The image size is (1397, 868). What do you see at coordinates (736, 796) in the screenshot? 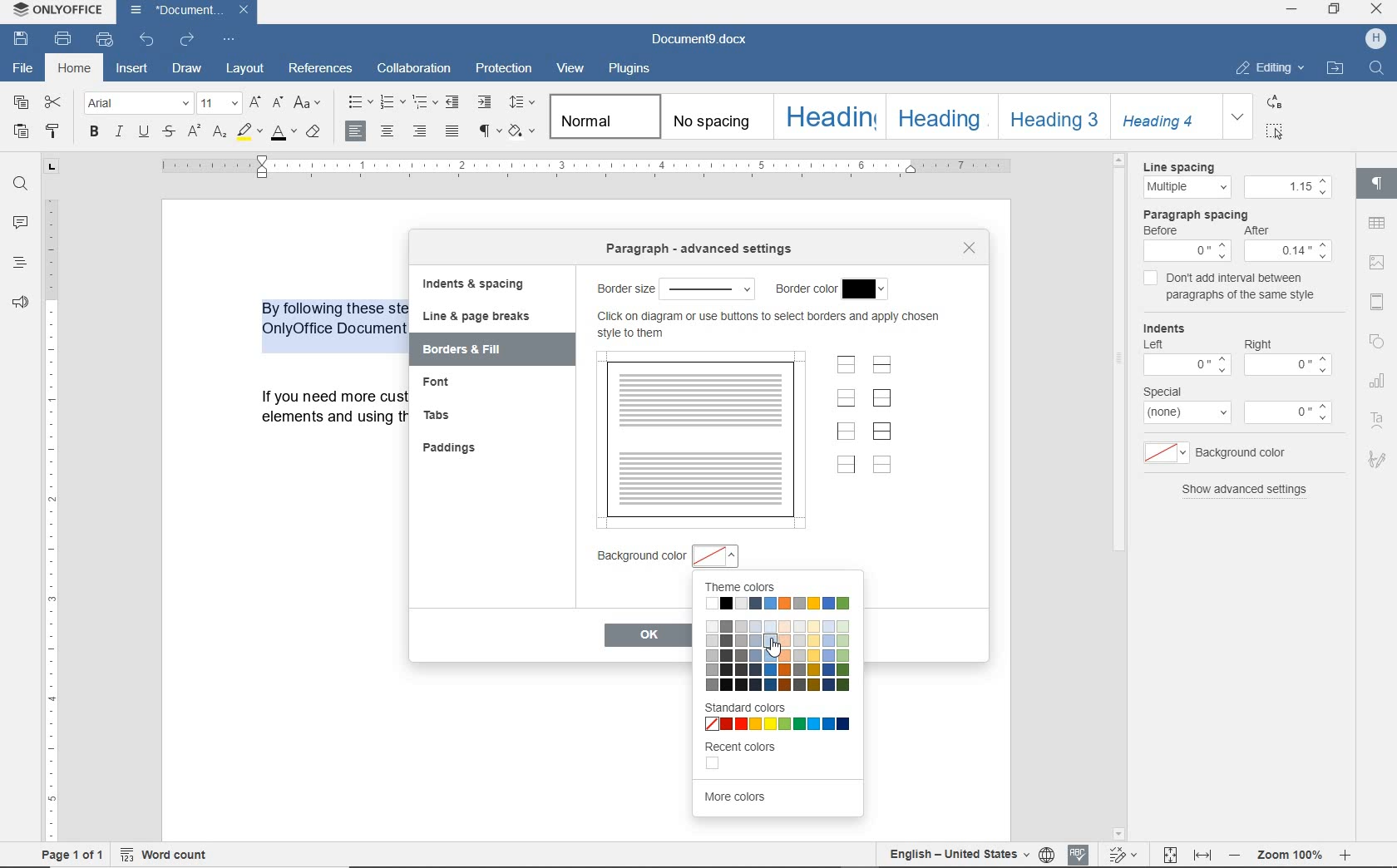
I see `more colors` at bounding box center [736, 796].